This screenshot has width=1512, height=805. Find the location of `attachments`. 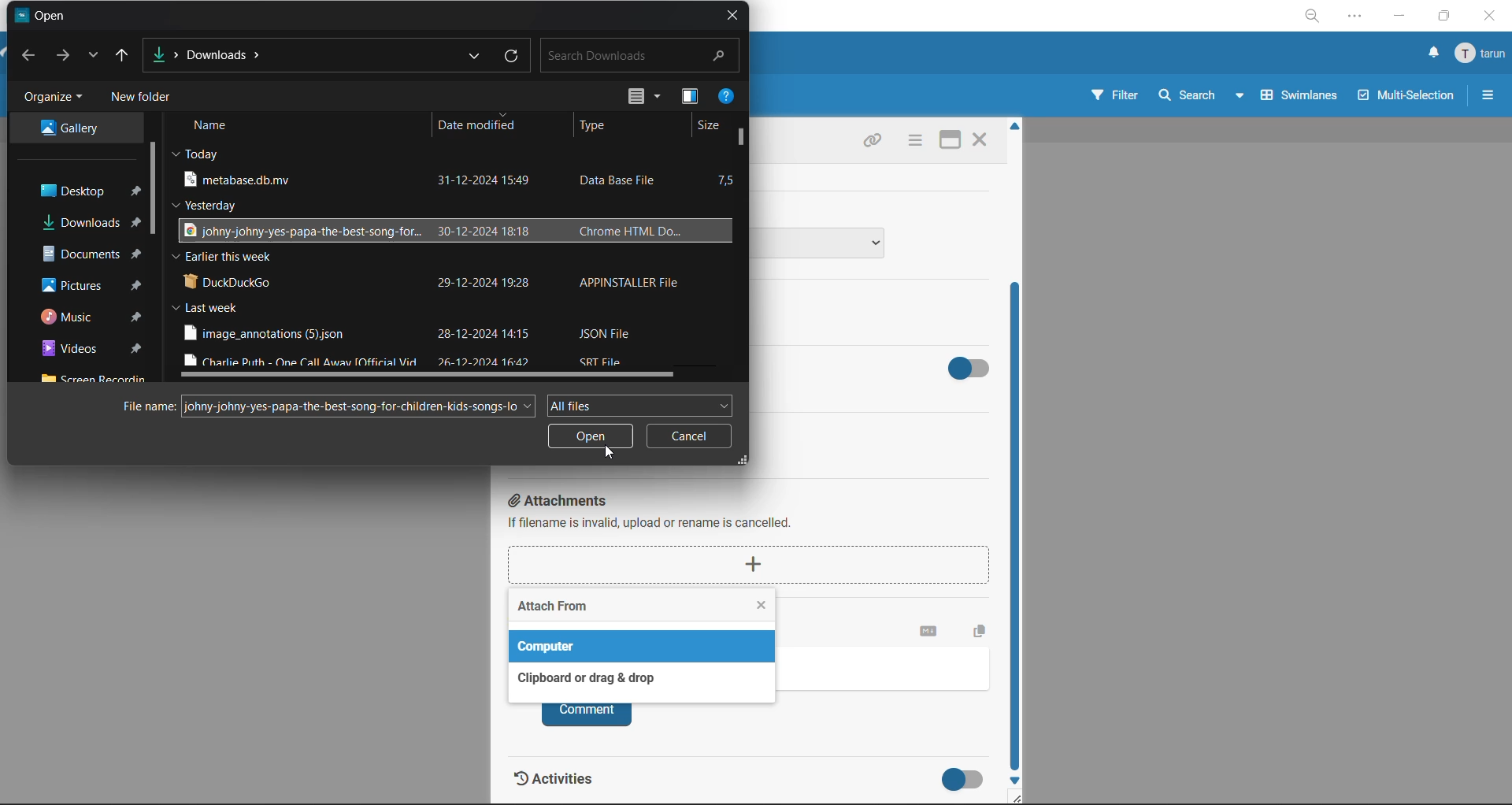

attachments is located at coordinates (756, 540).